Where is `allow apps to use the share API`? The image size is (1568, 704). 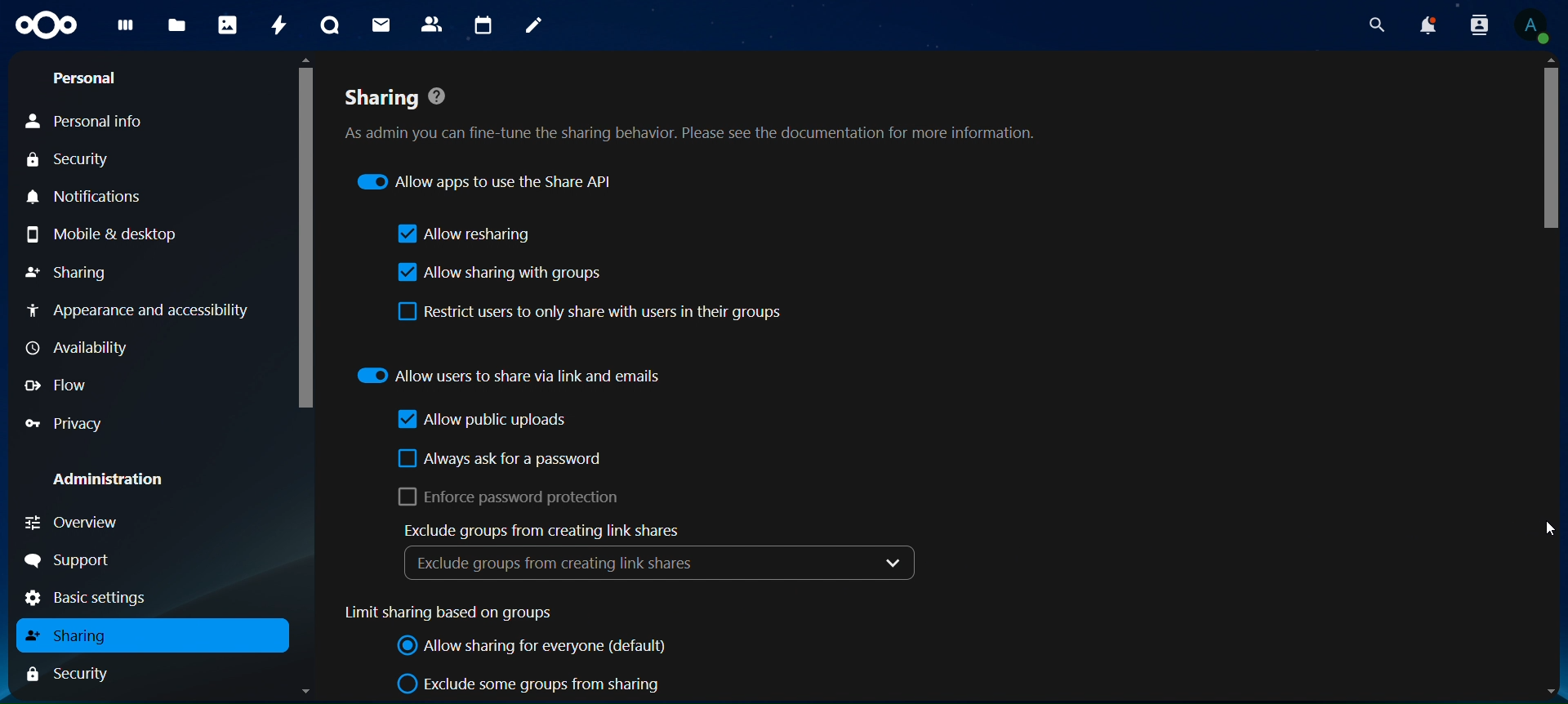
allow apps to use the share API is located at coordinates (482, 181).